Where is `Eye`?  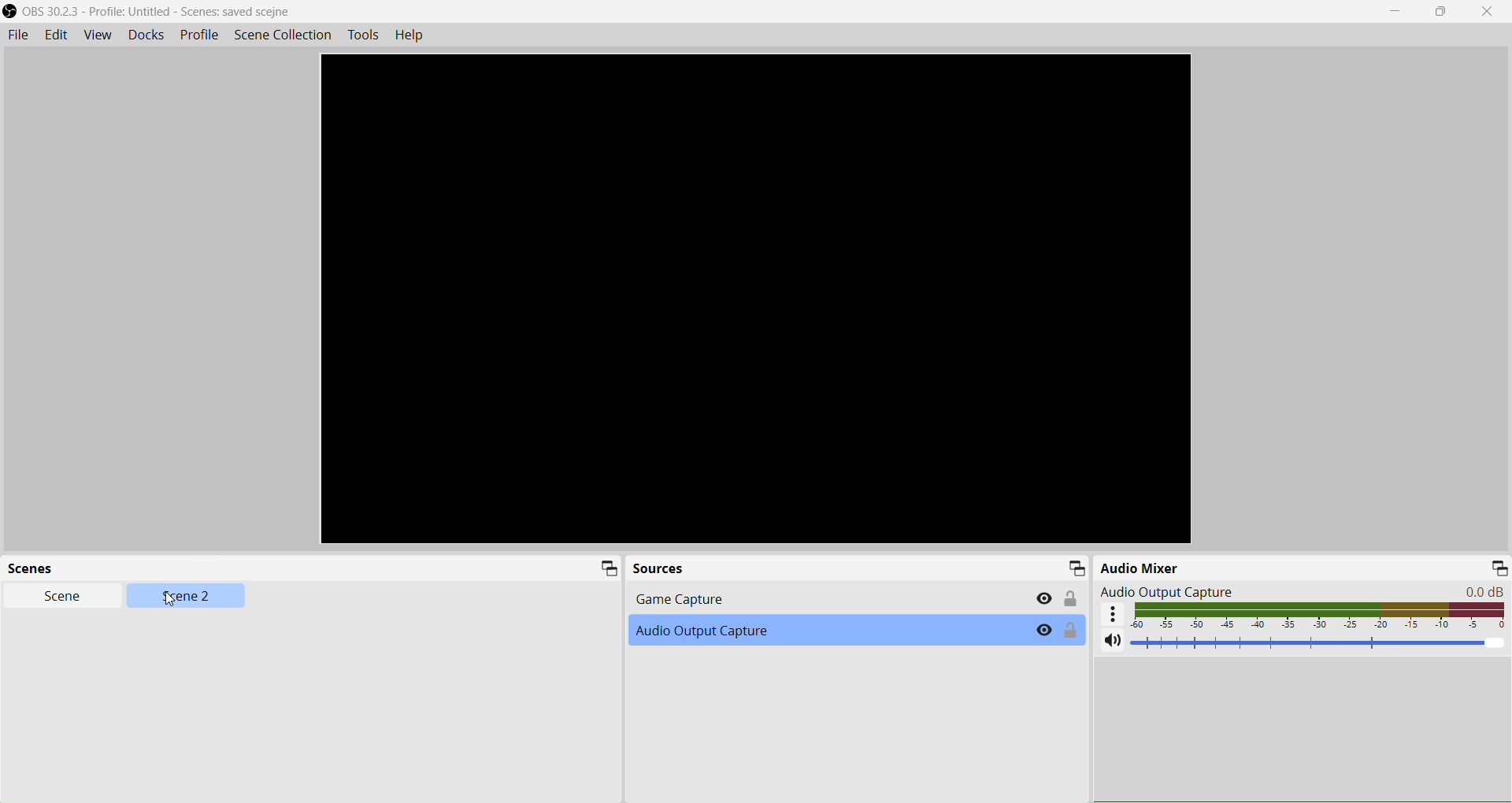
Eye is located at coordinates (1043, 630).